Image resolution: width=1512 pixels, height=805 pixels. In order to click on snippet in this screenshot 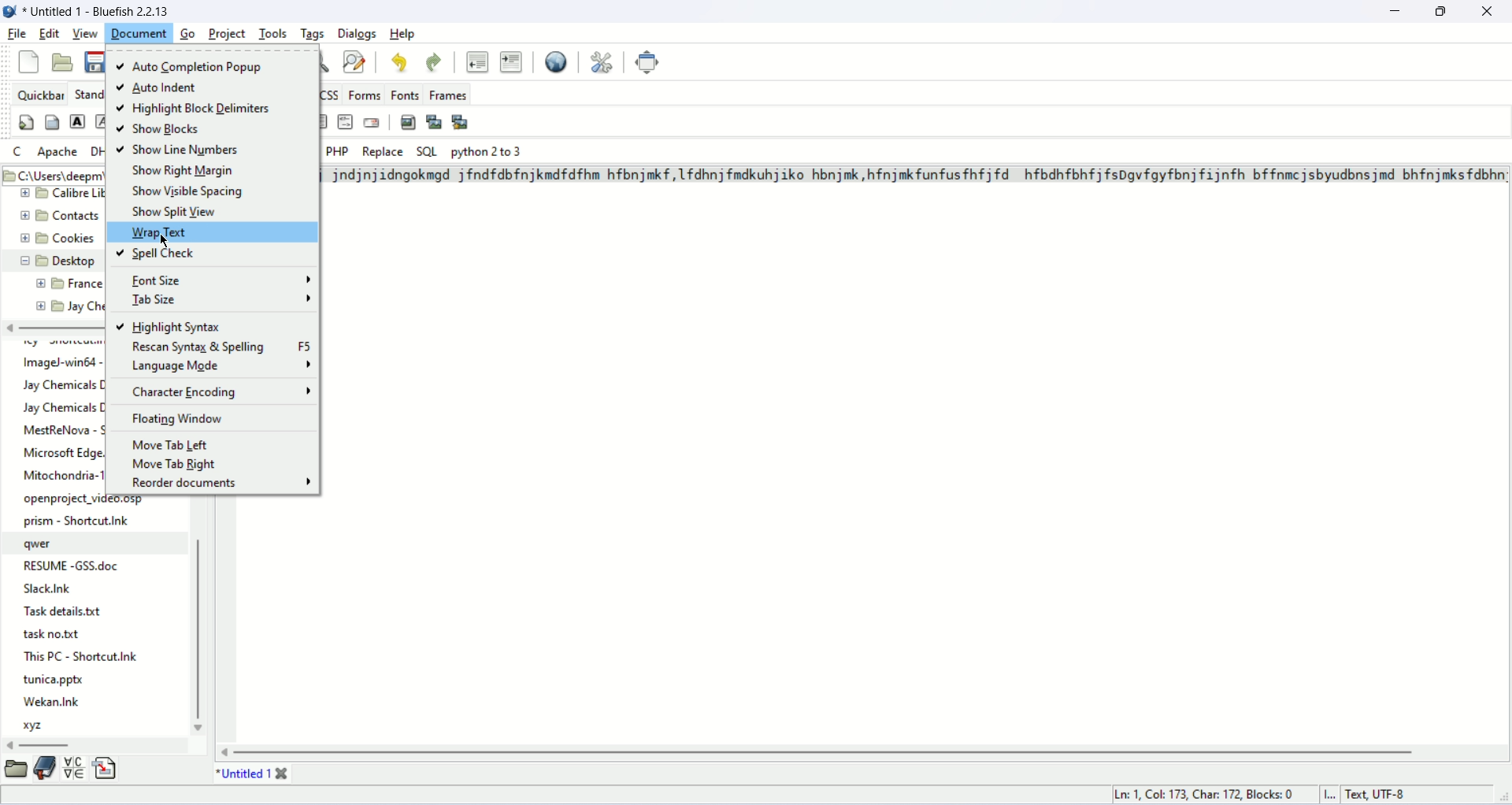, I will do `click(107, 770)`.